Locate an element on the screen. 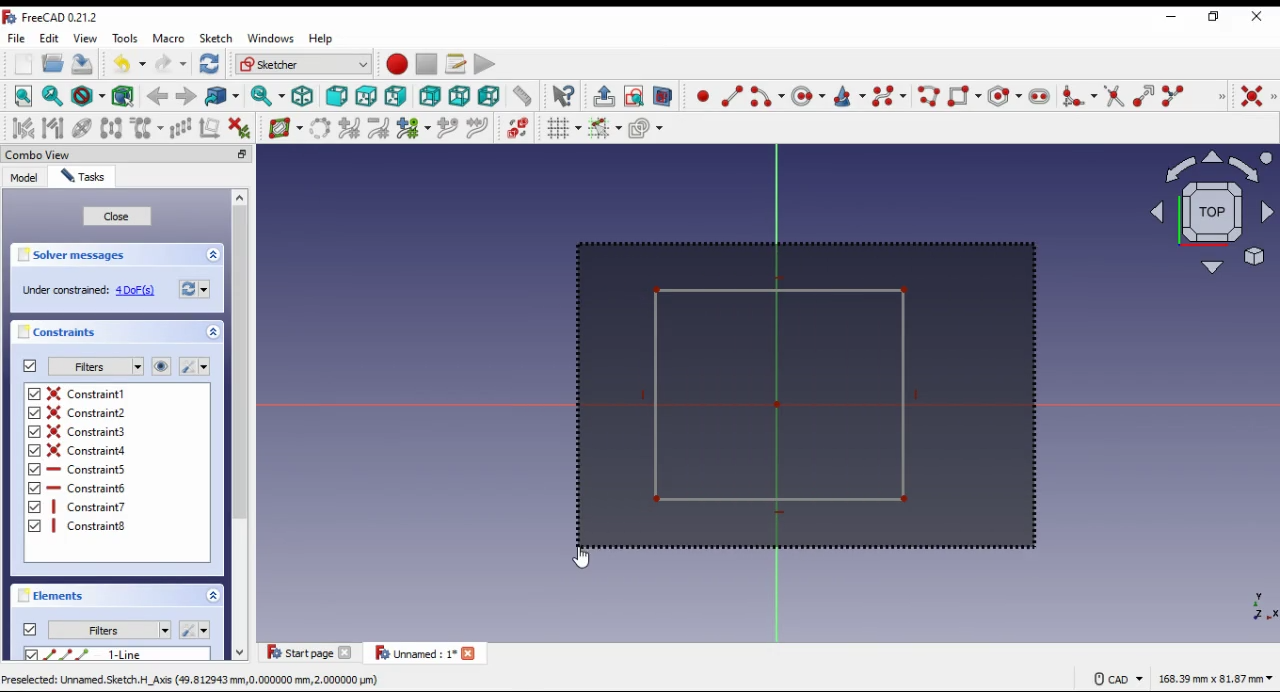  settings is located at coordinates (194, 628).